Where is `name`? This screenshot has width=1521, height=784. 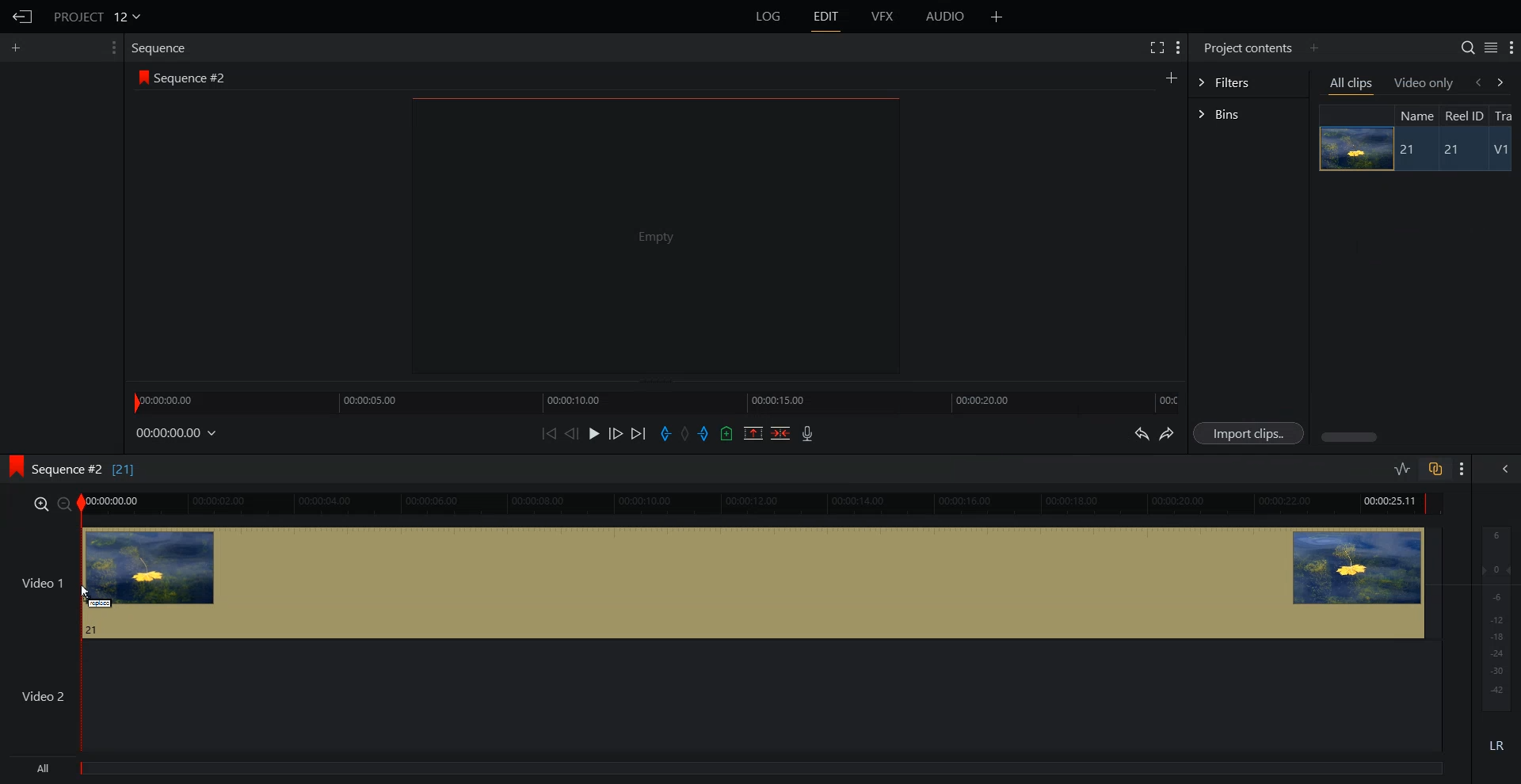 name is located at coordinates (1416, 115).